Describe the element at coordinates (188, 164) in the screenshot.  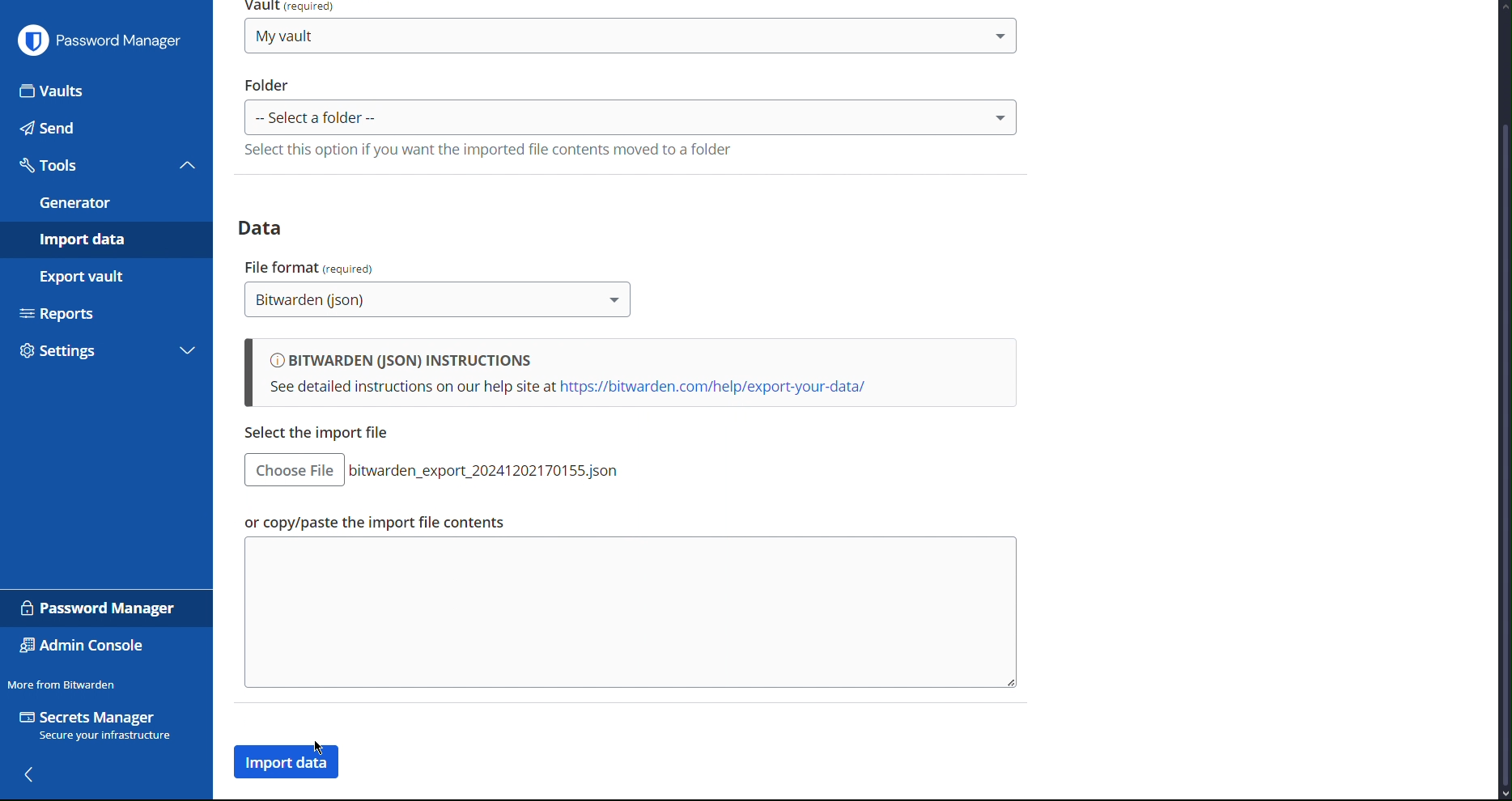
I see `collapse tools` at that location.